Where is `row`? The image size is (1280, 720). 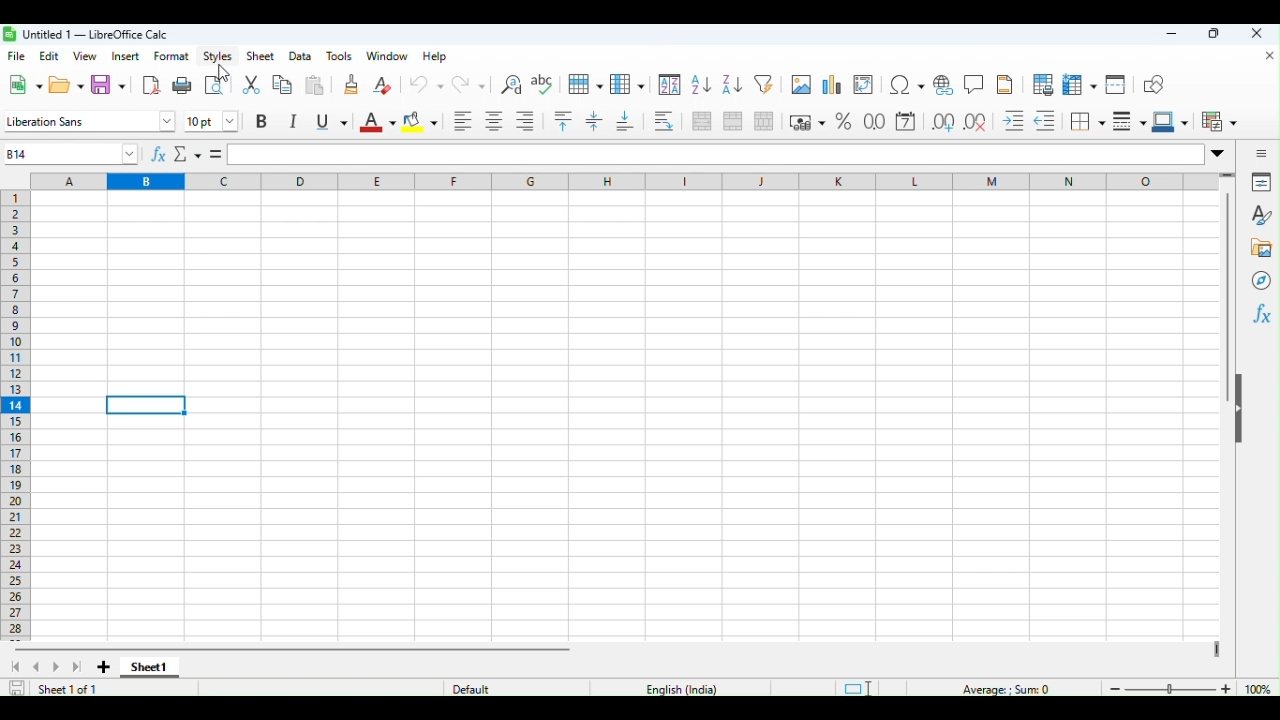 row is located at coordinates (582, 84).